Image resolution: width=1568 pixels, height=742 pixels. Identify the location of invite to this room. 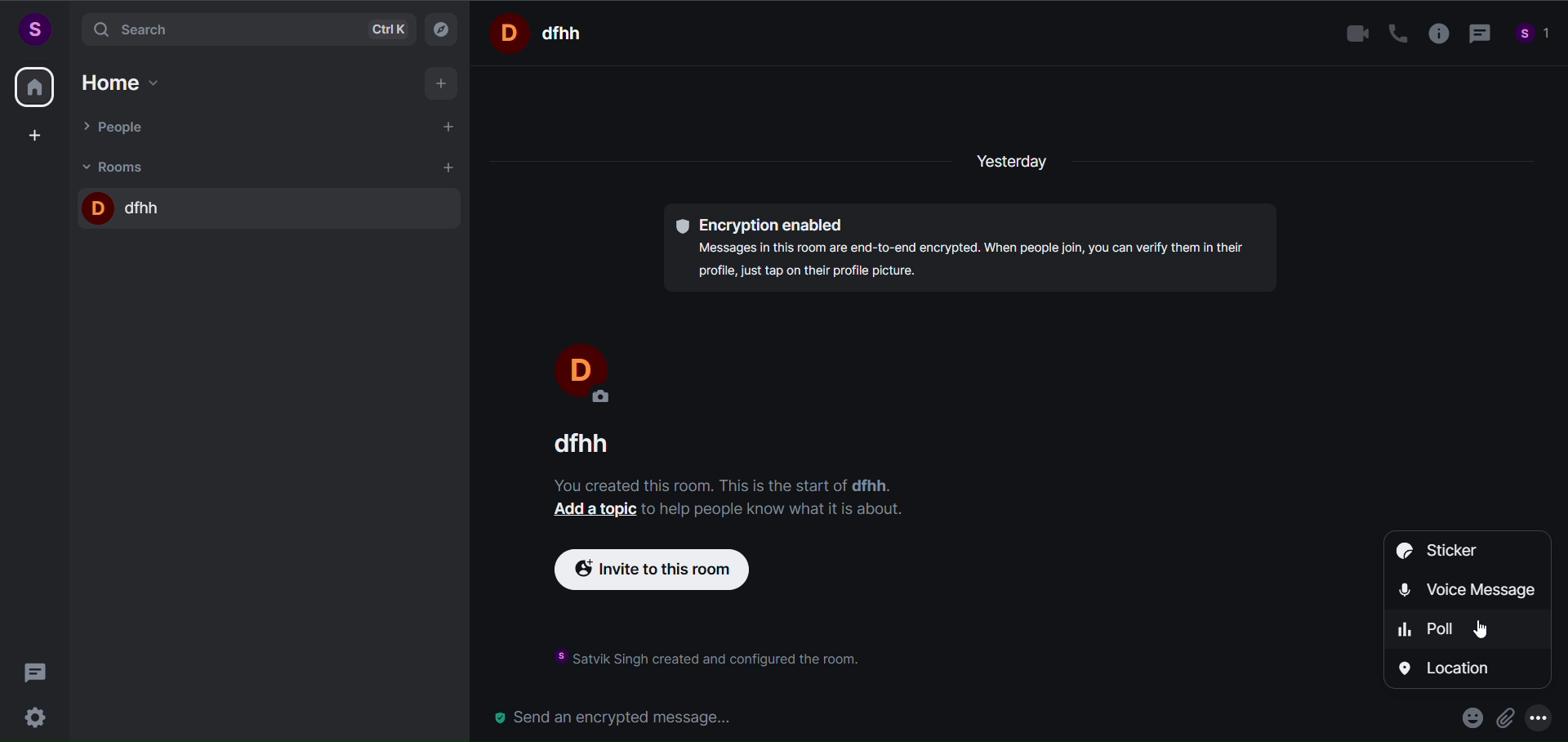
(666, 575).